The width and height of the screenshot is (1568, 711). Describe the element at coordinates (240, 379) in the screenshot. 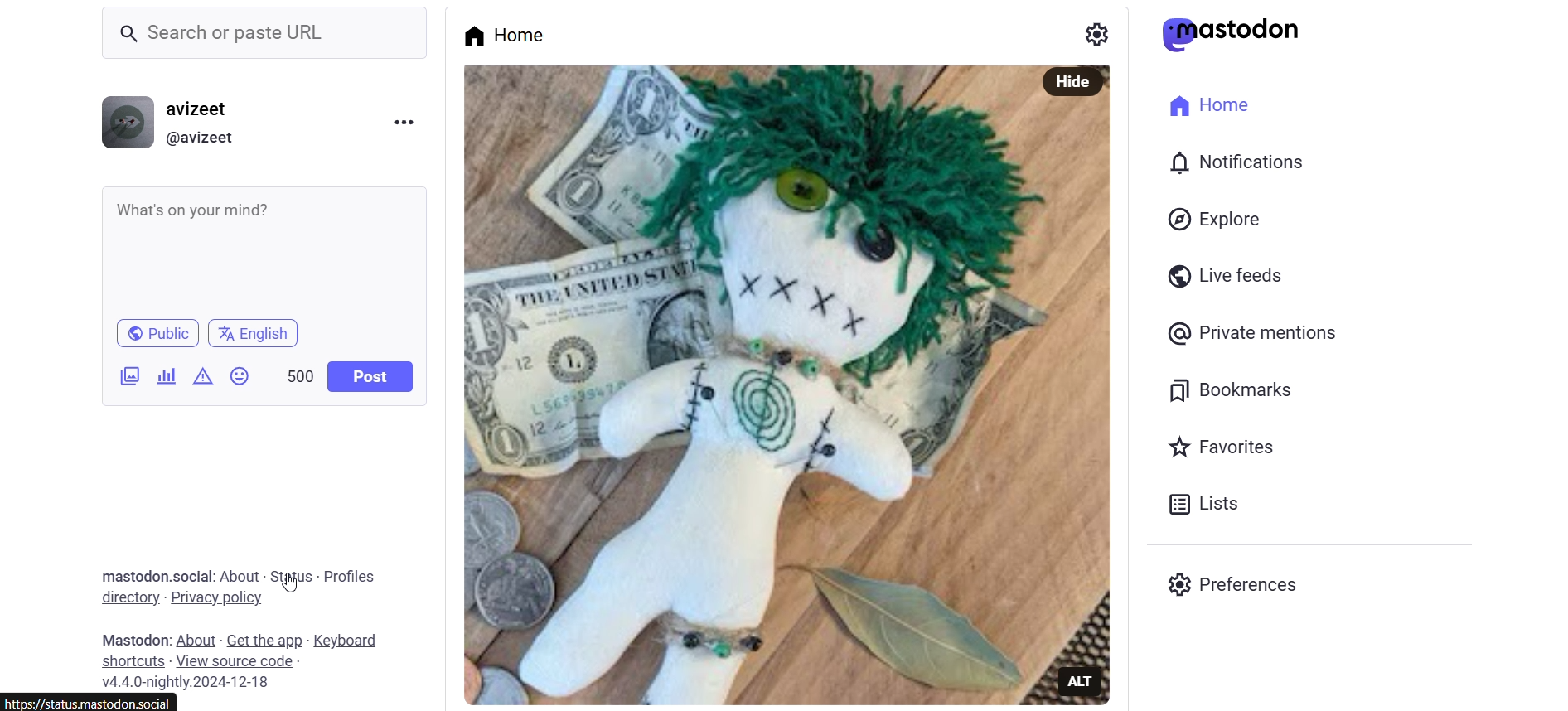

I see `emojis` at that location.